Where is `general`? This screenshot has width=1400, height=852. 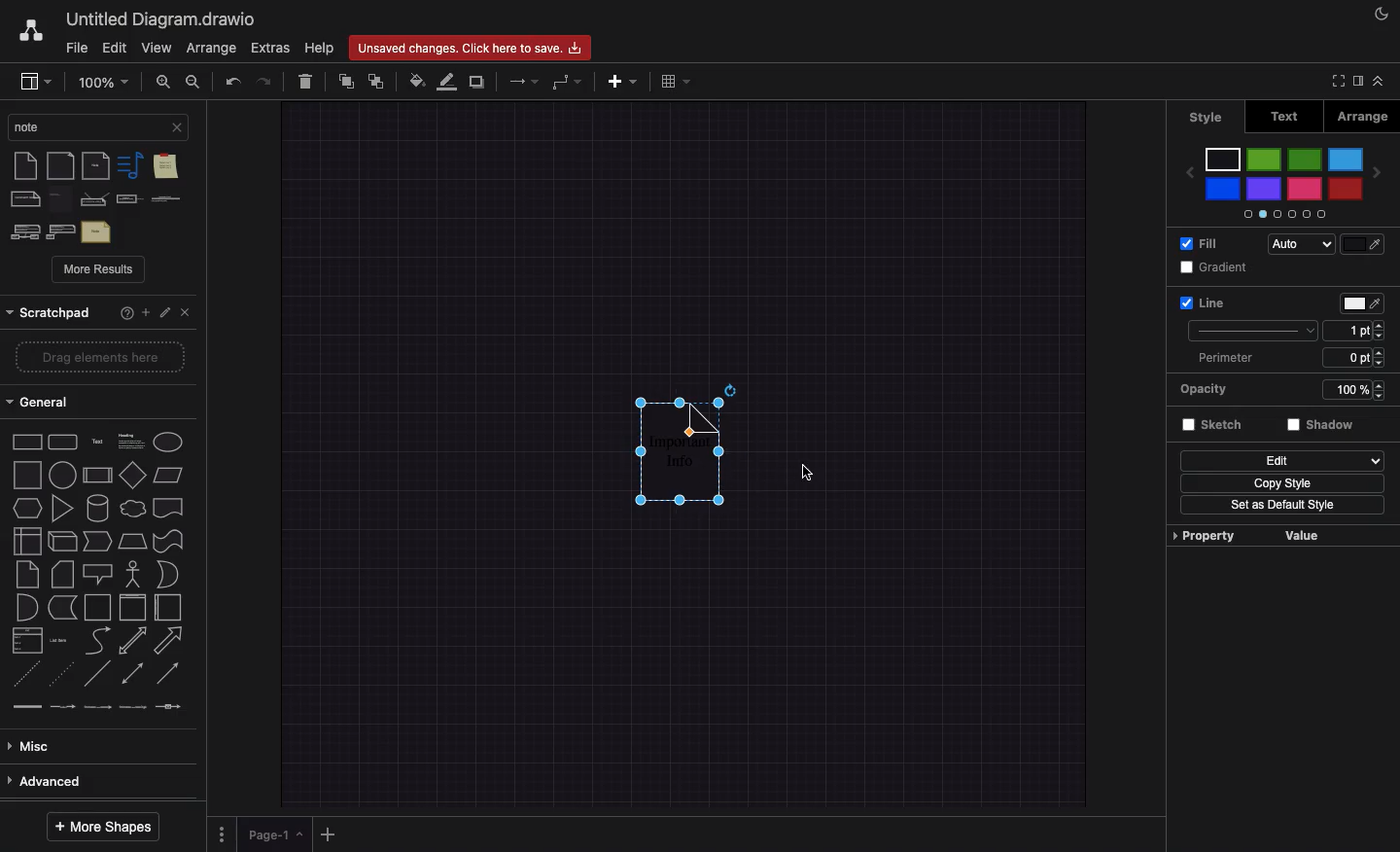
general is located at coordinates (91, 399).